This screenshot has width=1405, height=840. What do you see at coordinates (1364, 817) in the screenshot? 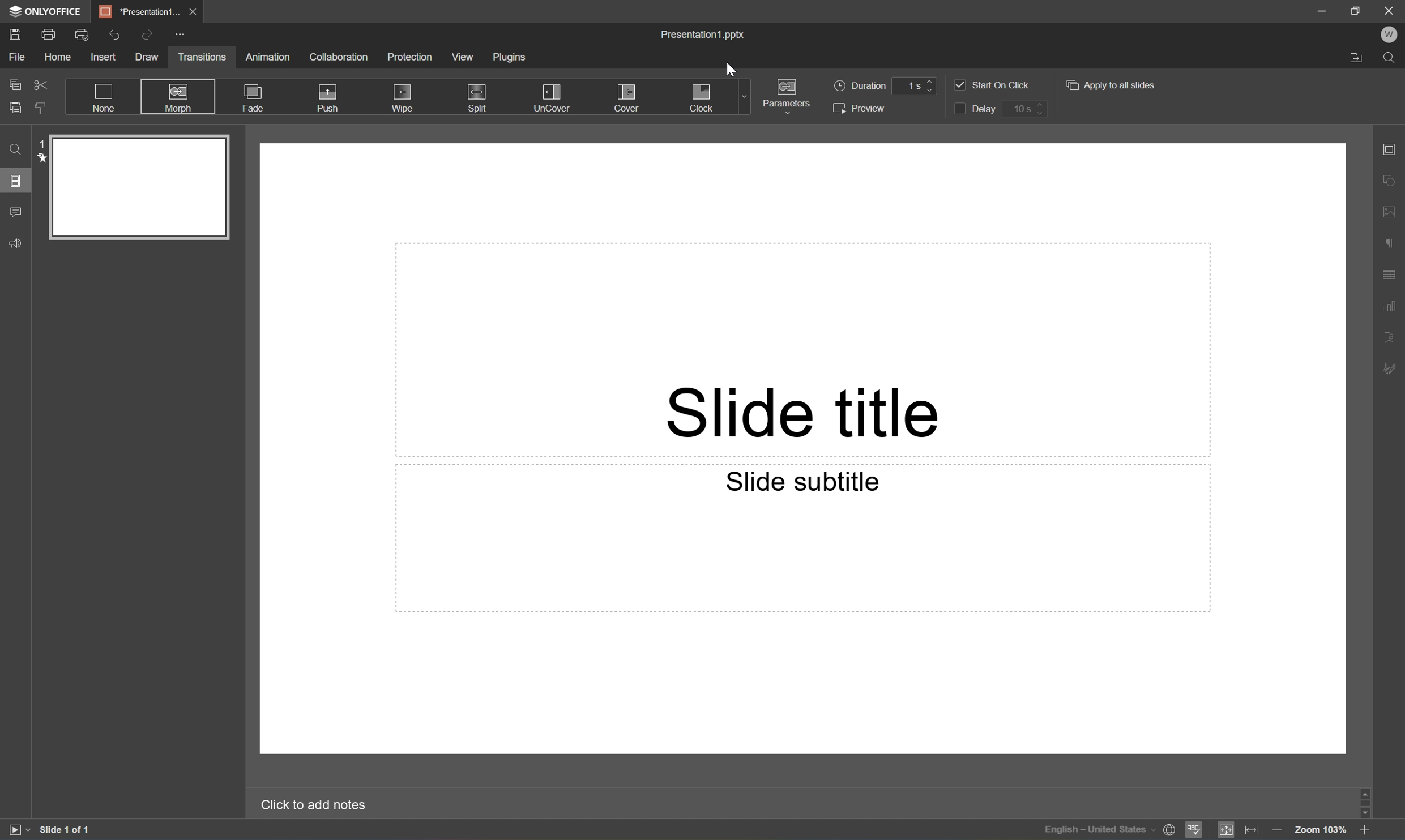
I see `Scroll Down` at bounding box center [1364, 817].